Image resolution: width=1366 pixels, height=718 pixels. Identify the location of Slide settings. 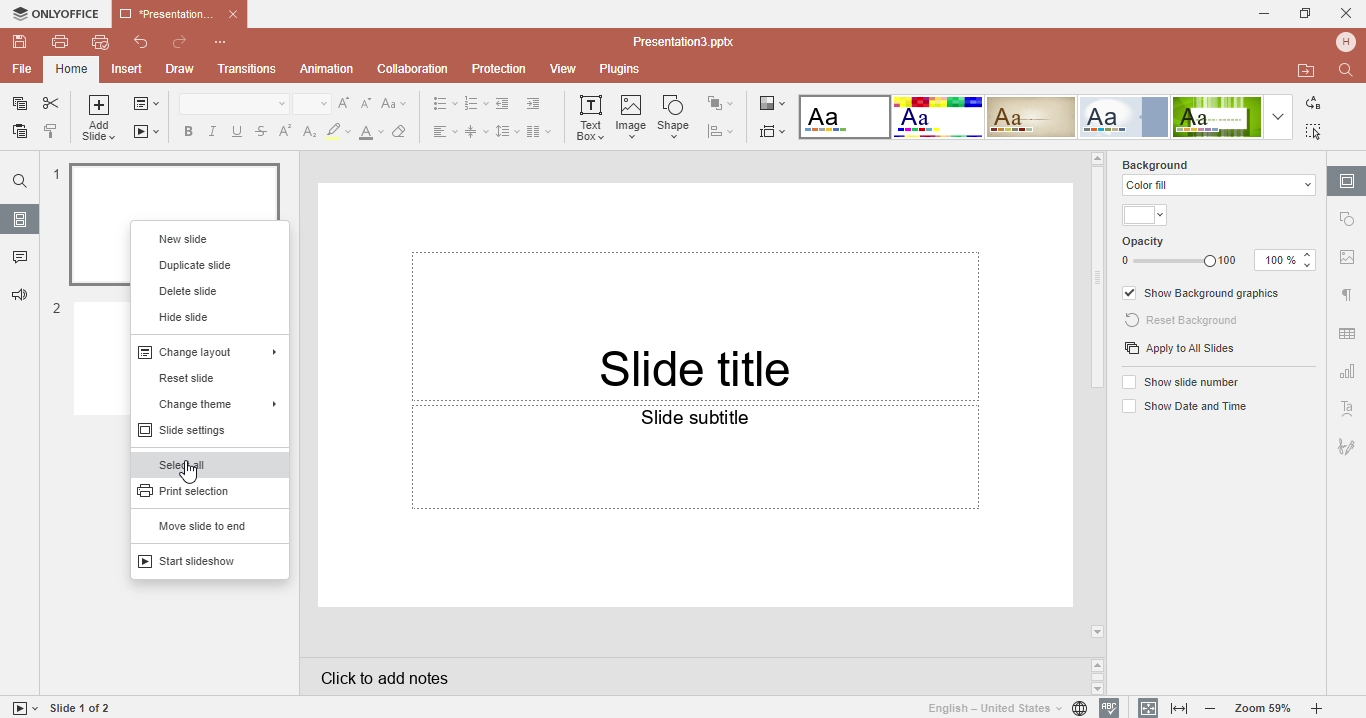
(196, 430).